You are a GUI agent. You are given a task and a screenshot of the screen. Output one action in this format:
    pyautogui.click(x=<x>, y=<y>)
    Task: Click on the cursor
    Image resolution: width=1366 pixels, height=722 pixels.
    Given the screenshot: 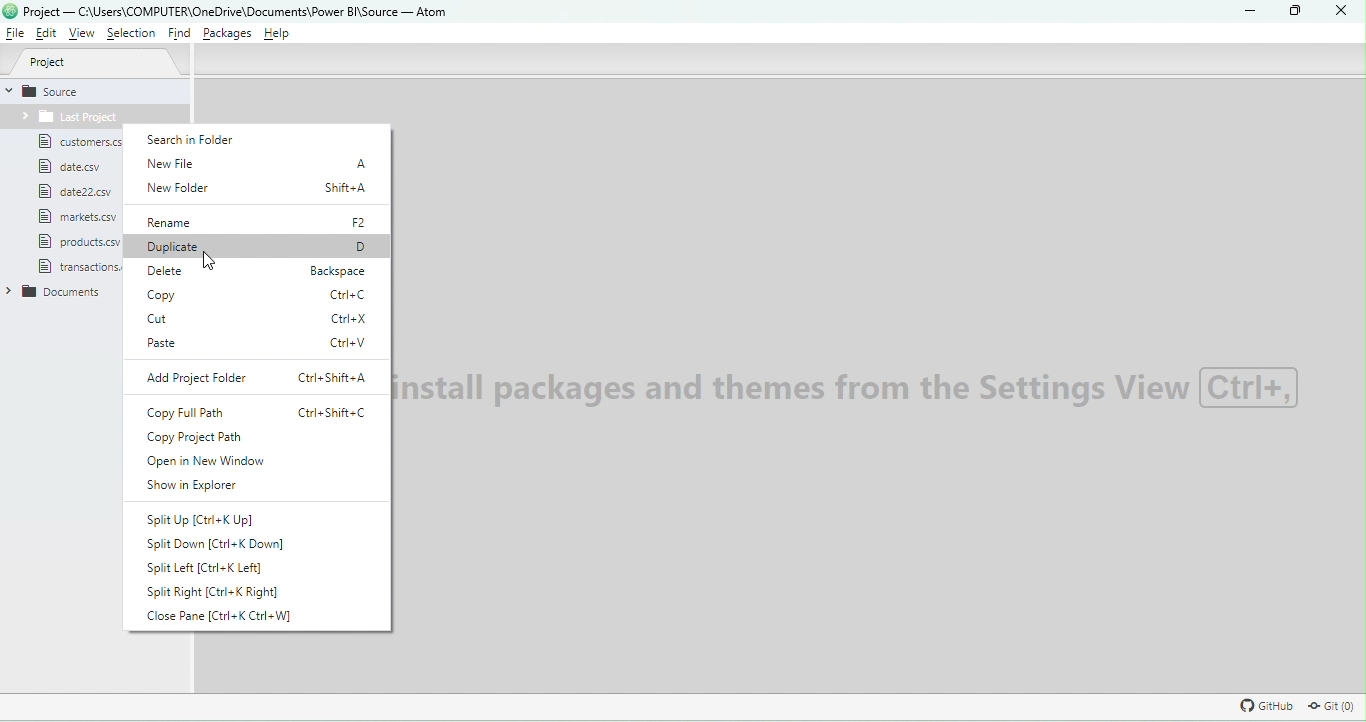 What is the action you would take?
    pyautogui.click(x=214, y=259)
    